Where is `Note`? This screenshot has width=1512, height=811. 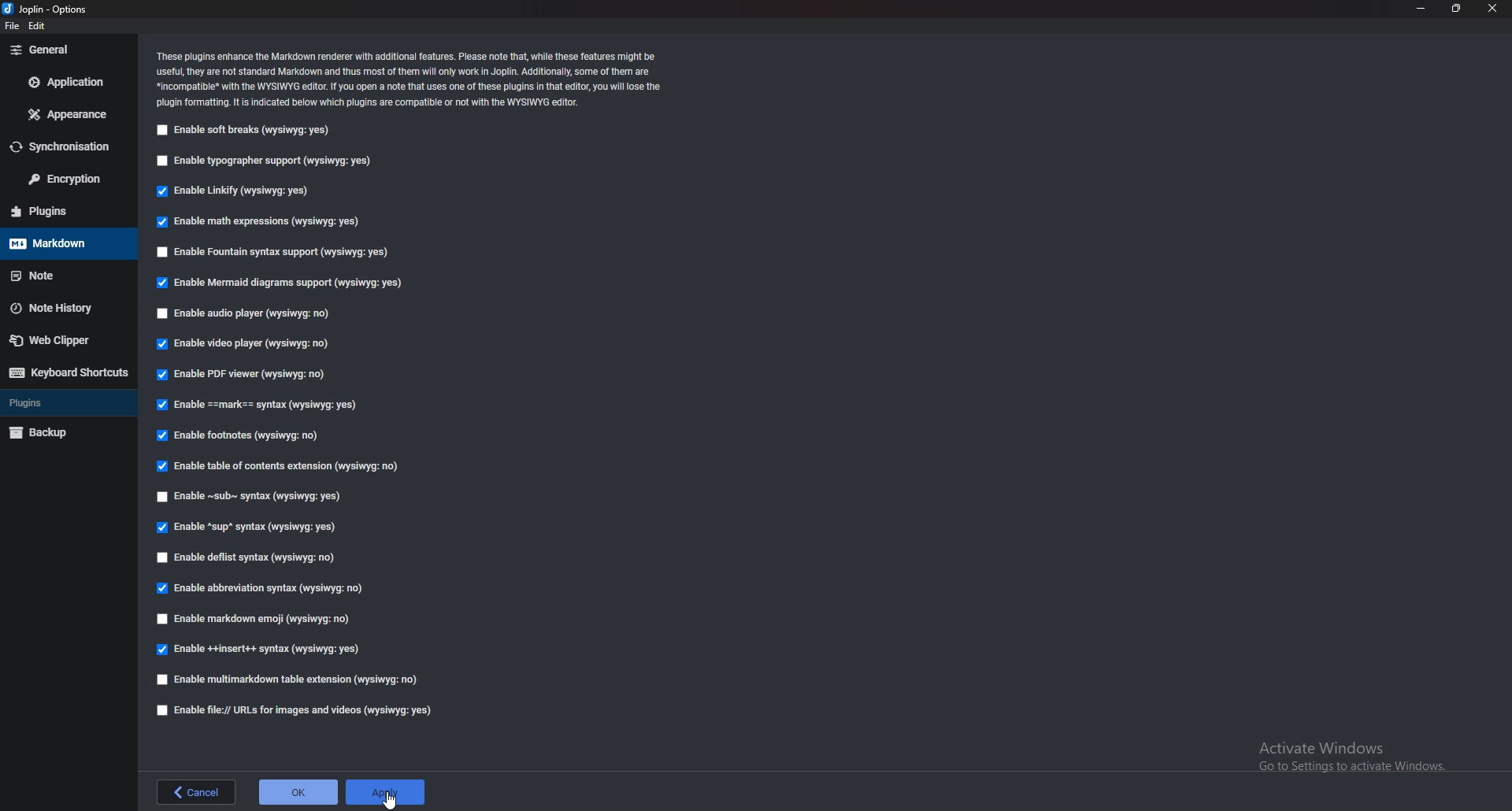 Note is located at coordinates (61, 275).